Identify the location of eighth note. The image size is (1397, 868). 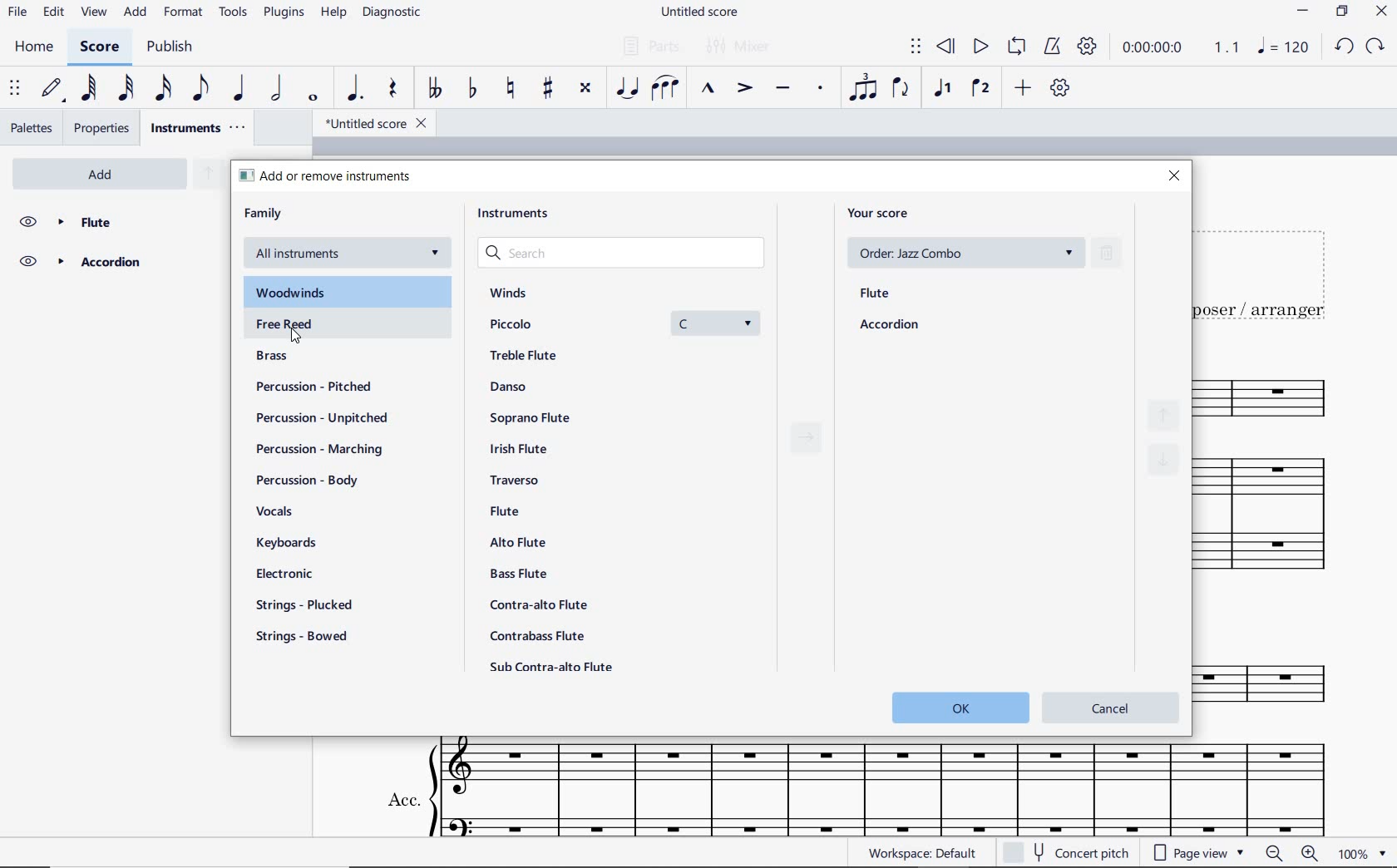
(198, 90).